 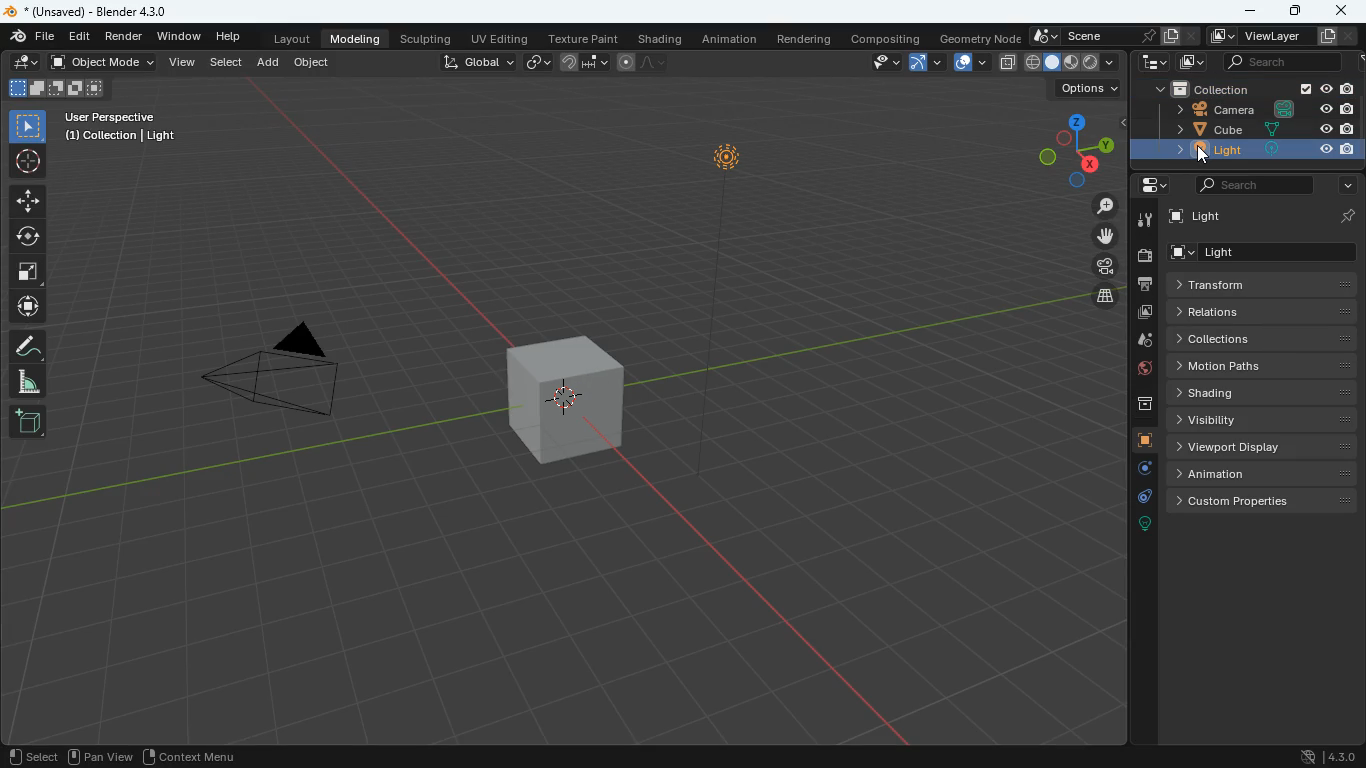 What do you see at coordinates (1191, 37) in the screenshot?
I see `Close` at bounding box center [1191, 37].